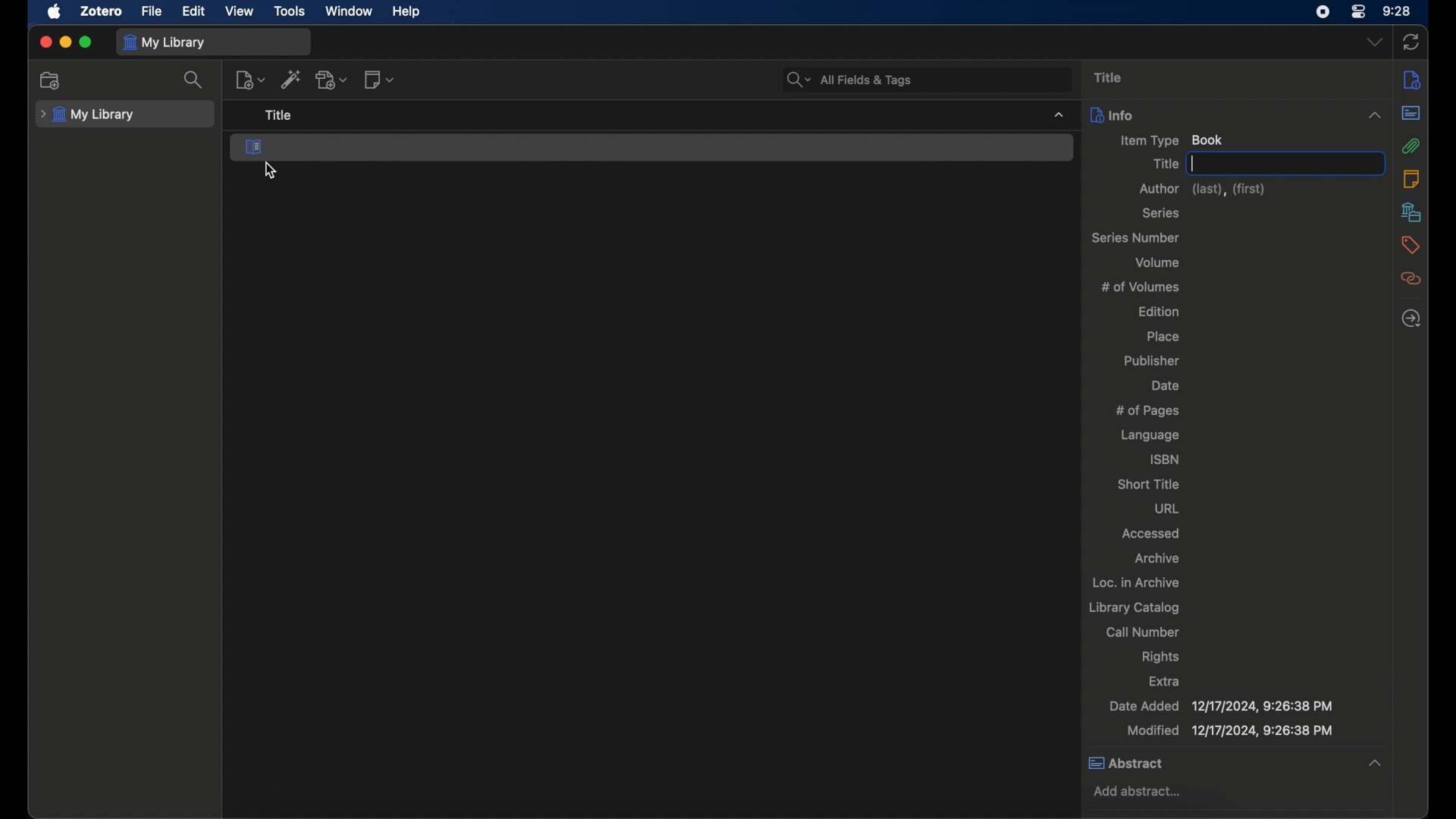 The height and width of the screenshot is (819, 1456). I want to click on short title, so click(1148, 484).